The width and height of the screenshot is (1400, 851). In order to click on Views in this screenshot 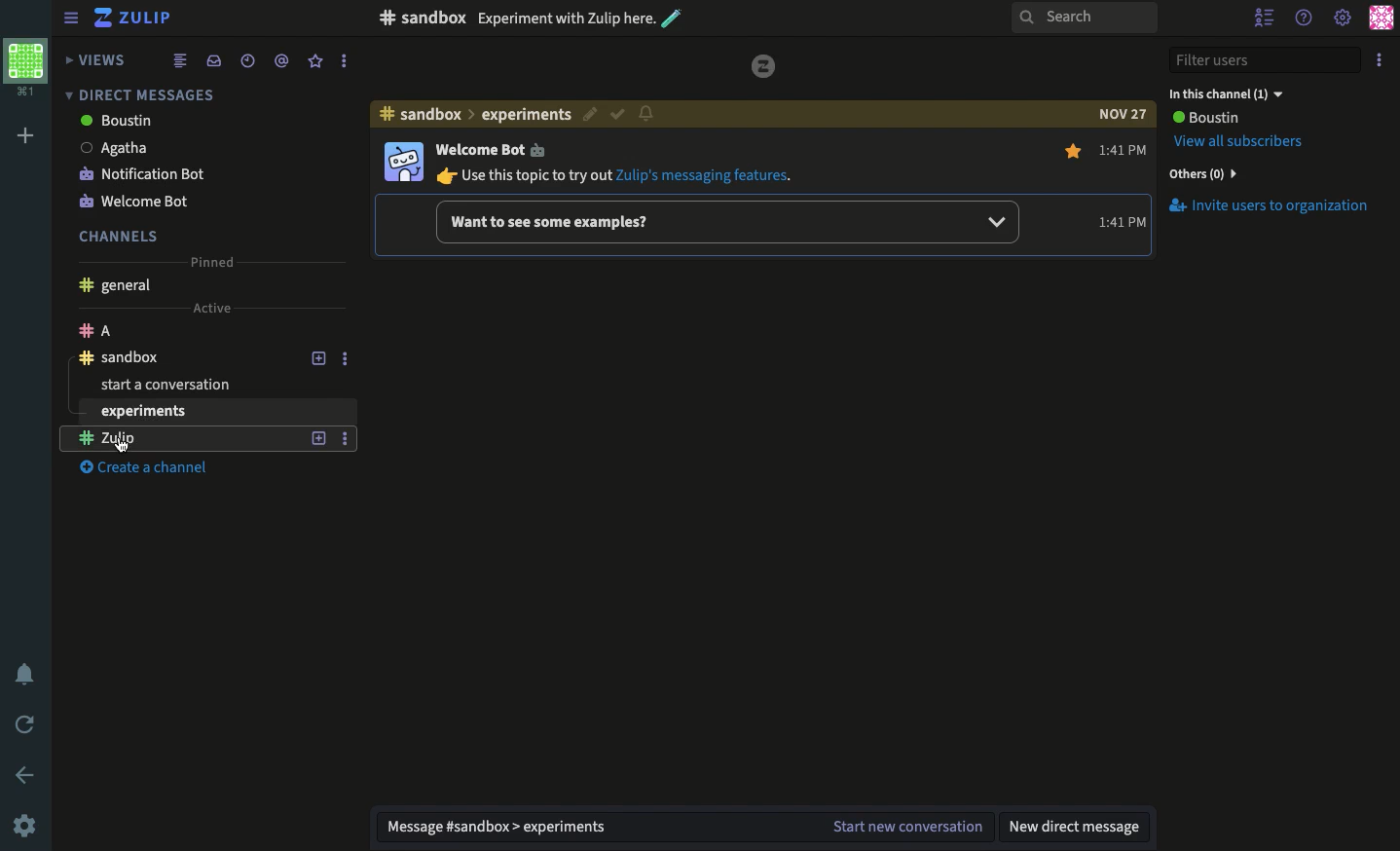, I will do `click(98, 59)`.